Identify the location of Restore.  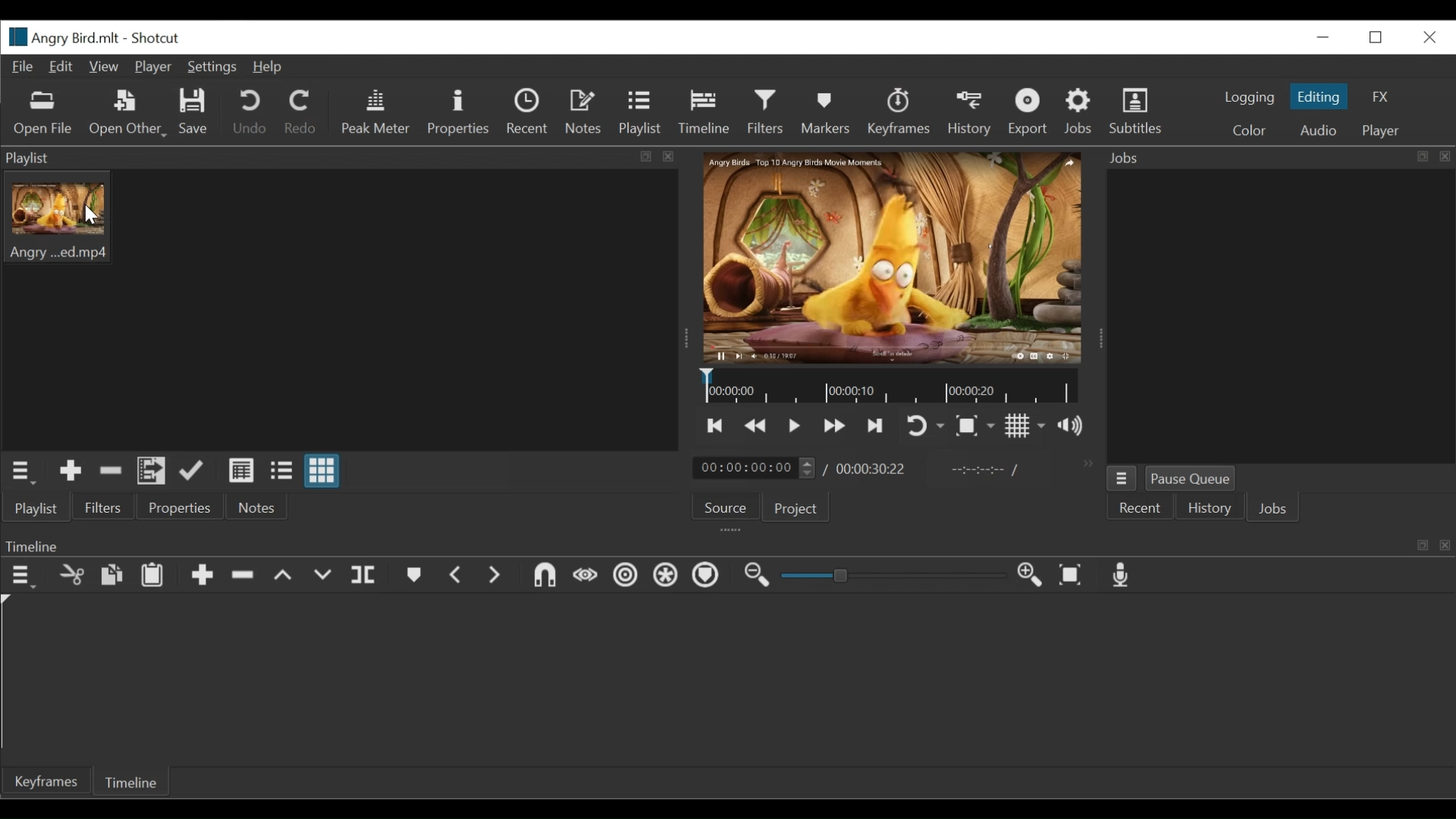
(1379, 37).